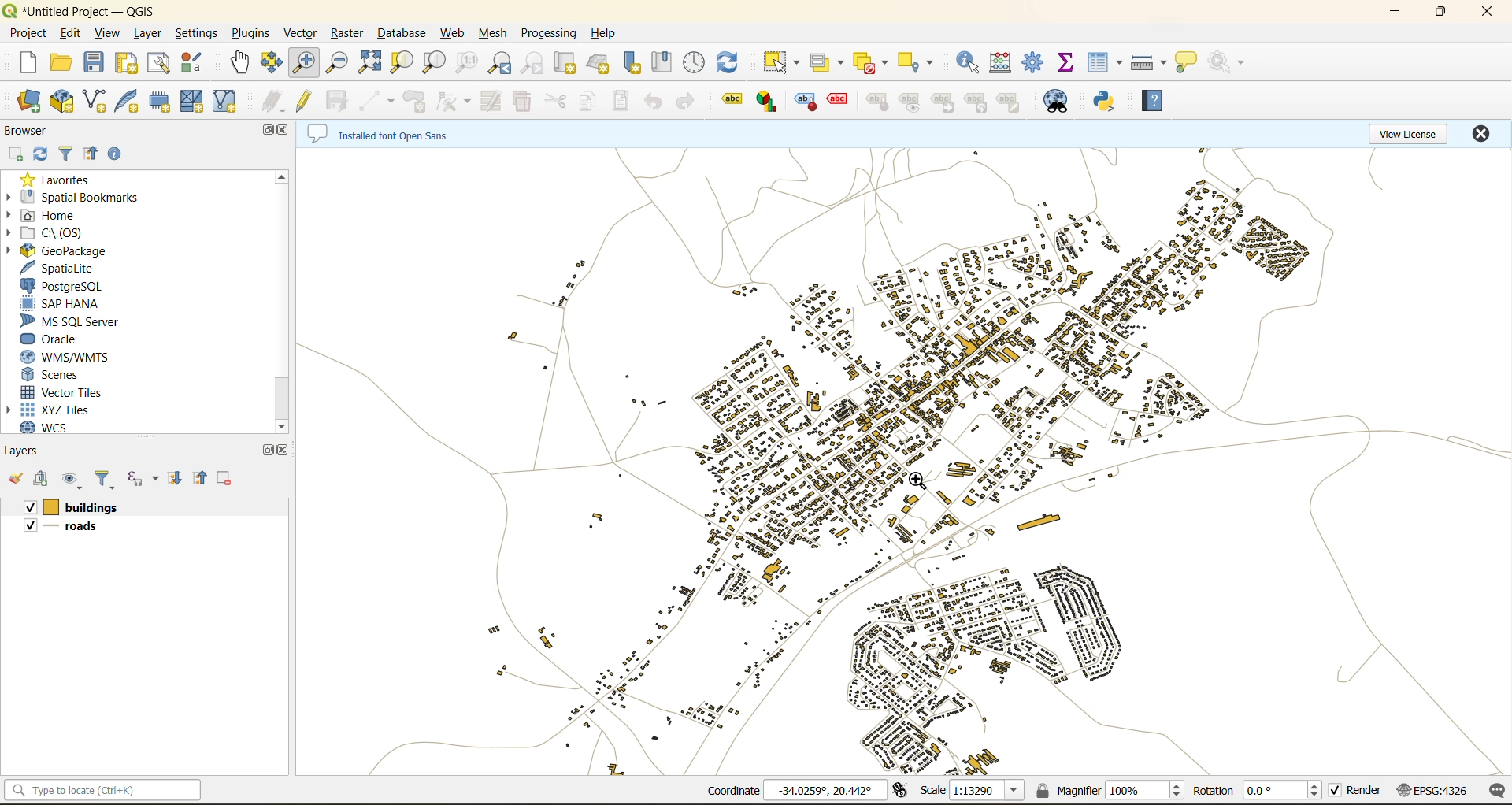  Describe the element at coordinates (402, 61) in the screenshot. I see `zoom selection` at that location.